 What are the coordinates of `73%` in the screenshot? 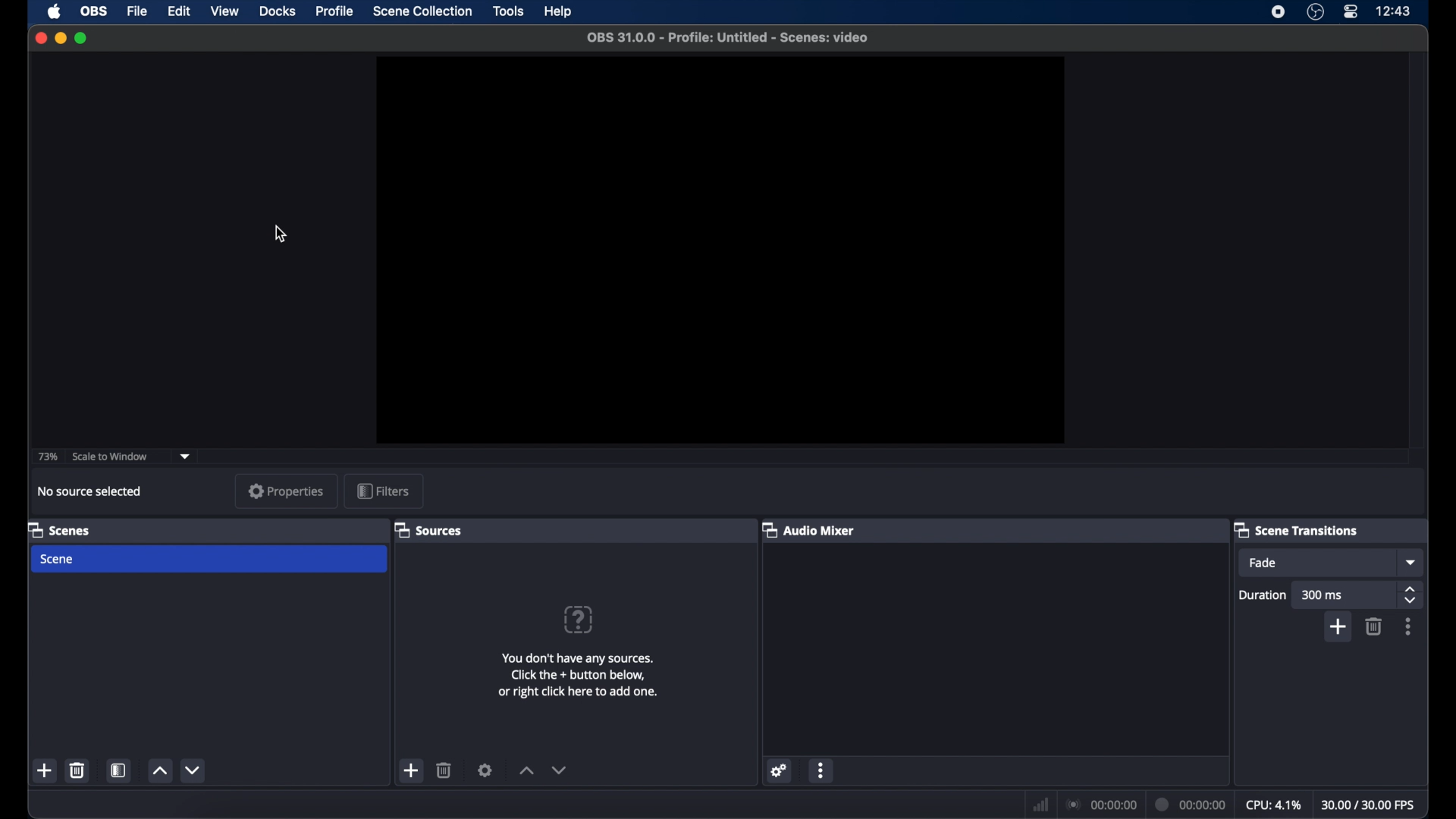 It's located at (47, 456).